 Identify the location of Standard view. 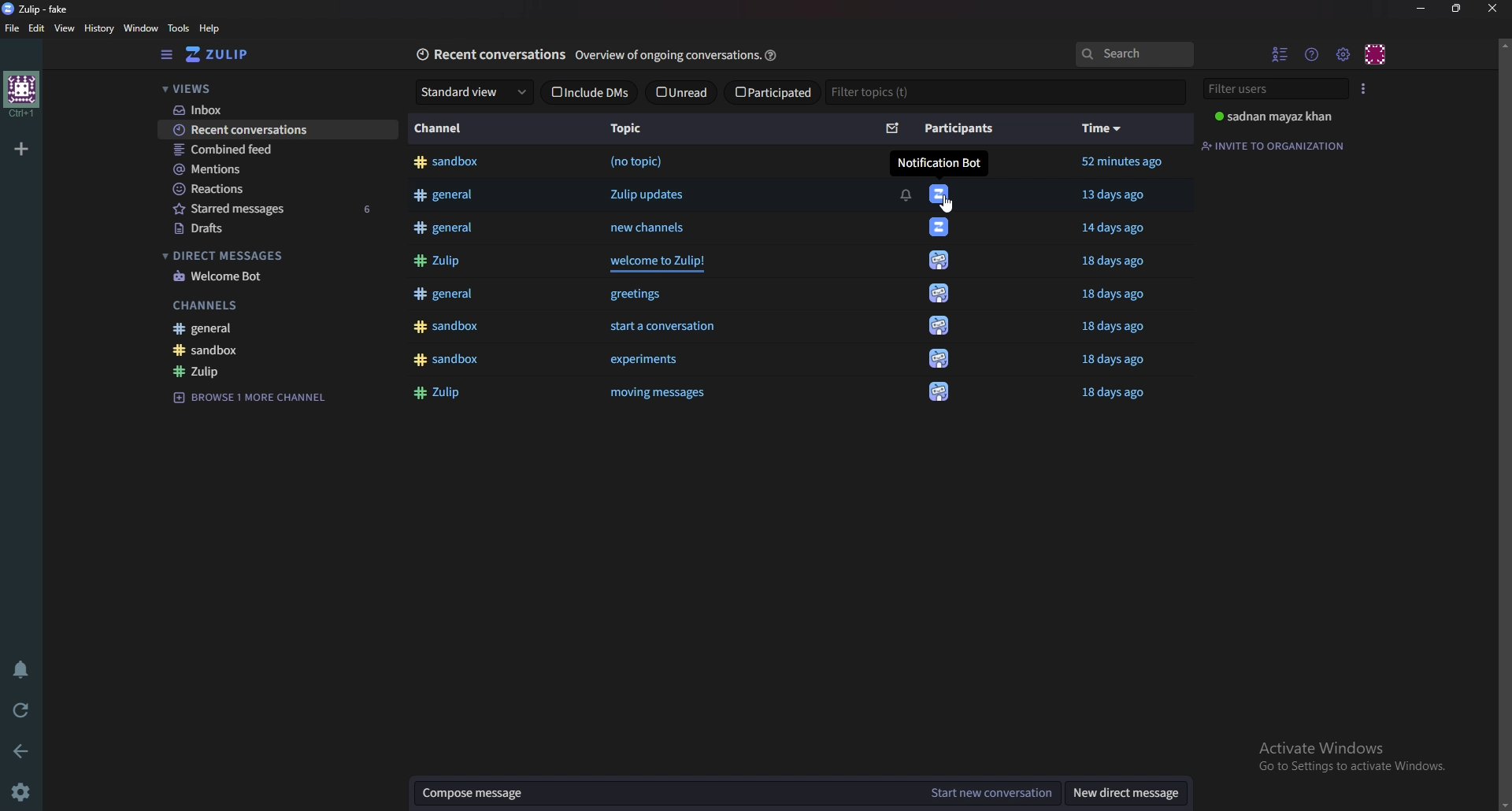
(472, 91).